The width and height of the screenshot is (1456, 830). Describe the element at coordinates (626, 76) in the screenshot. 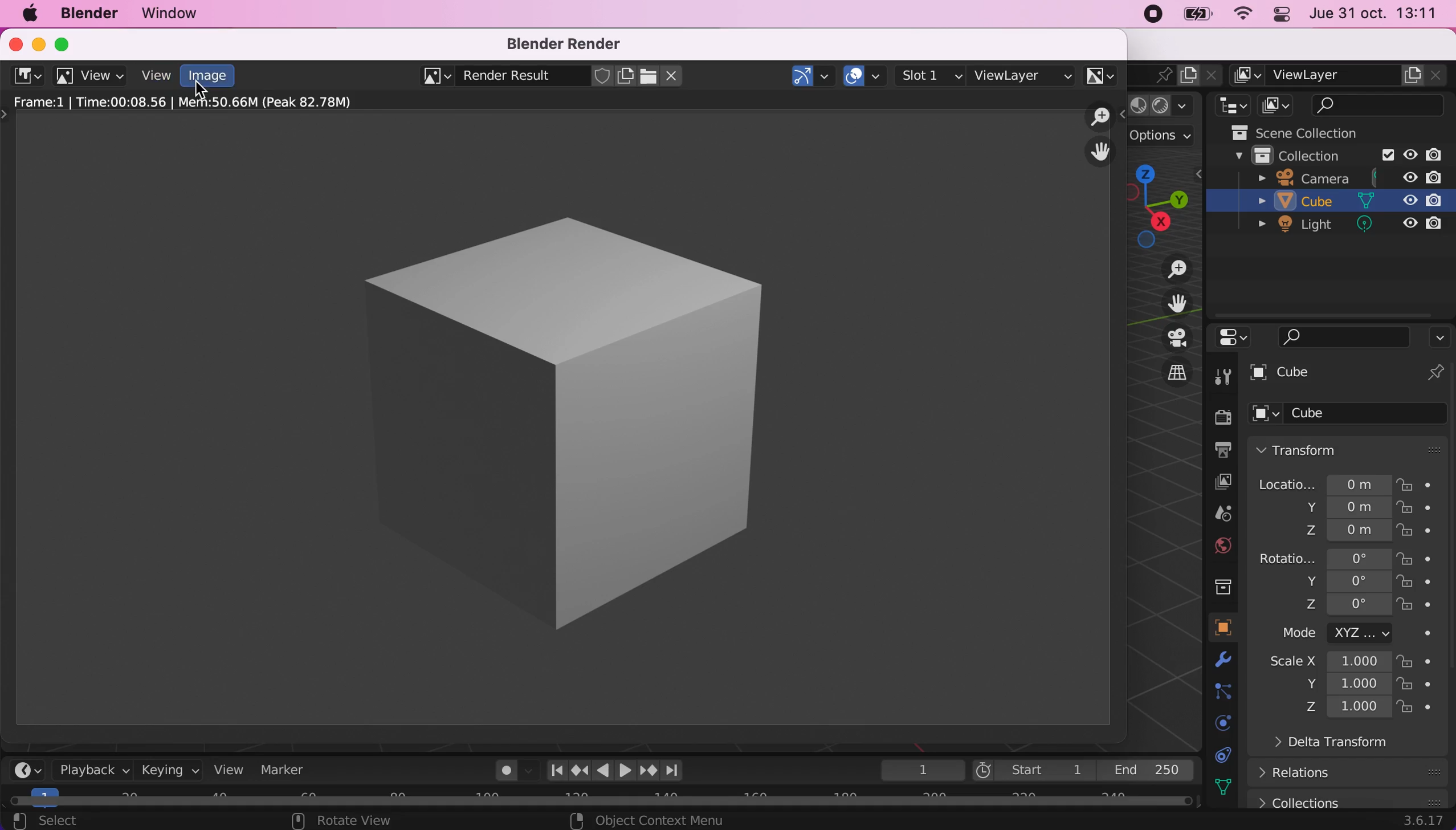

I see `new image` at that location.